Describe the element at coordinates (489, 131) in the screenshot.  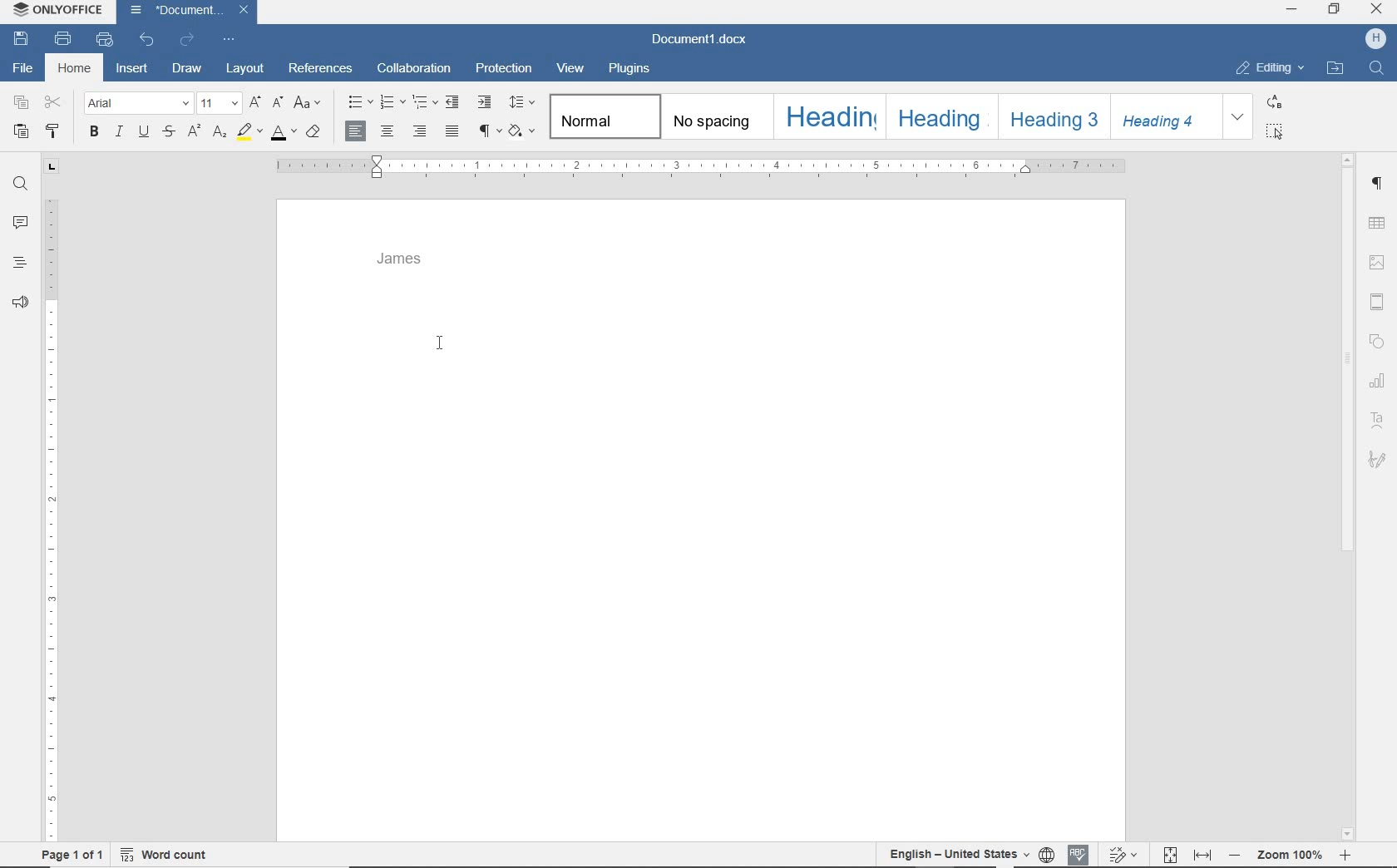
I see `nonprinting characters` at that location.